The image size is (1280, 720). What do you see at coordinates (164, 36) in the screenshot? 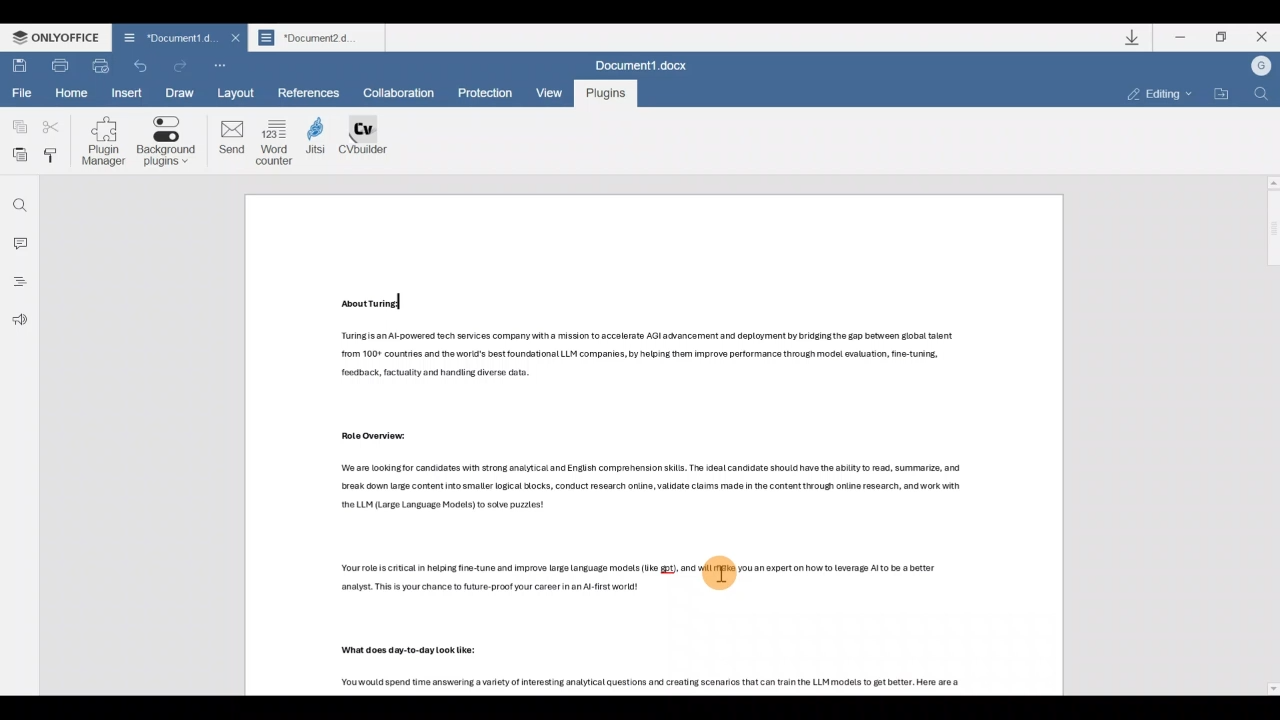
I see `Document1 d.` at bounding box center [164, 36].